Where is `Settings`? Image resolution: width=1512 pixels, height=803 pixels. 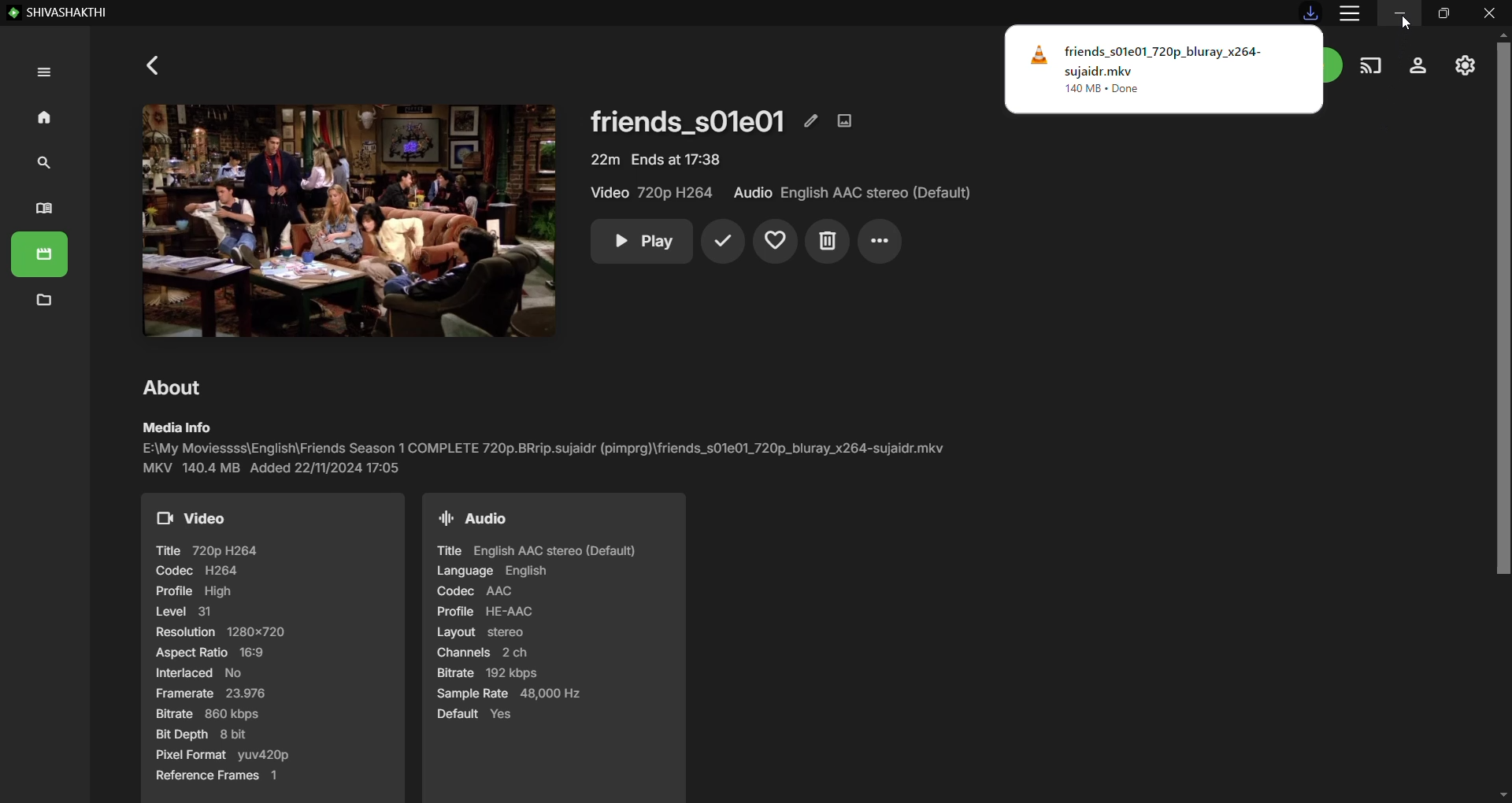
Settings is located at coordinates (1418, 66).